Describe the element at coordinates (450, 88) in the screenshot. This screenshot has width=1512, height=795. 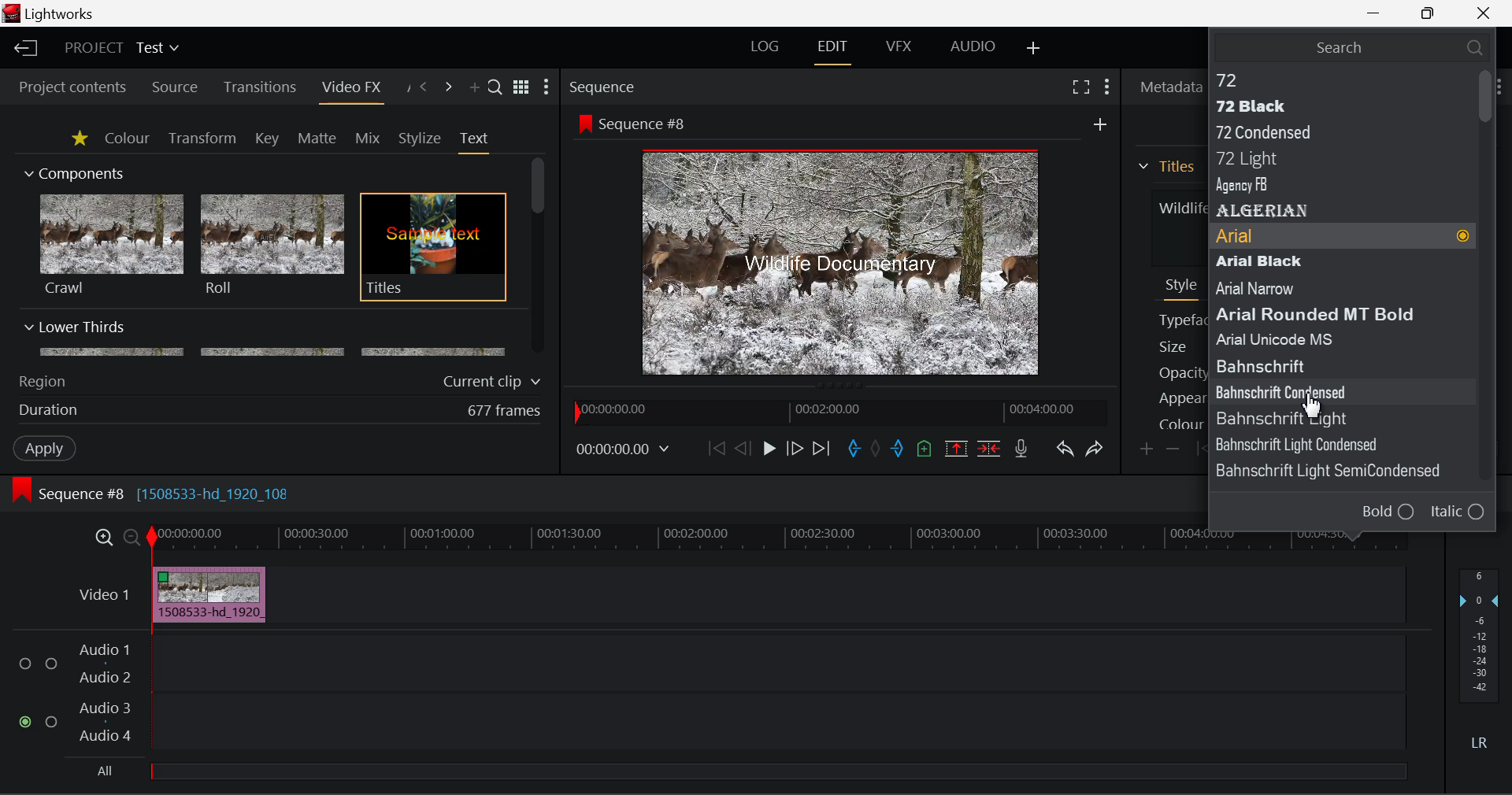
I see `Next Panel` at that location.